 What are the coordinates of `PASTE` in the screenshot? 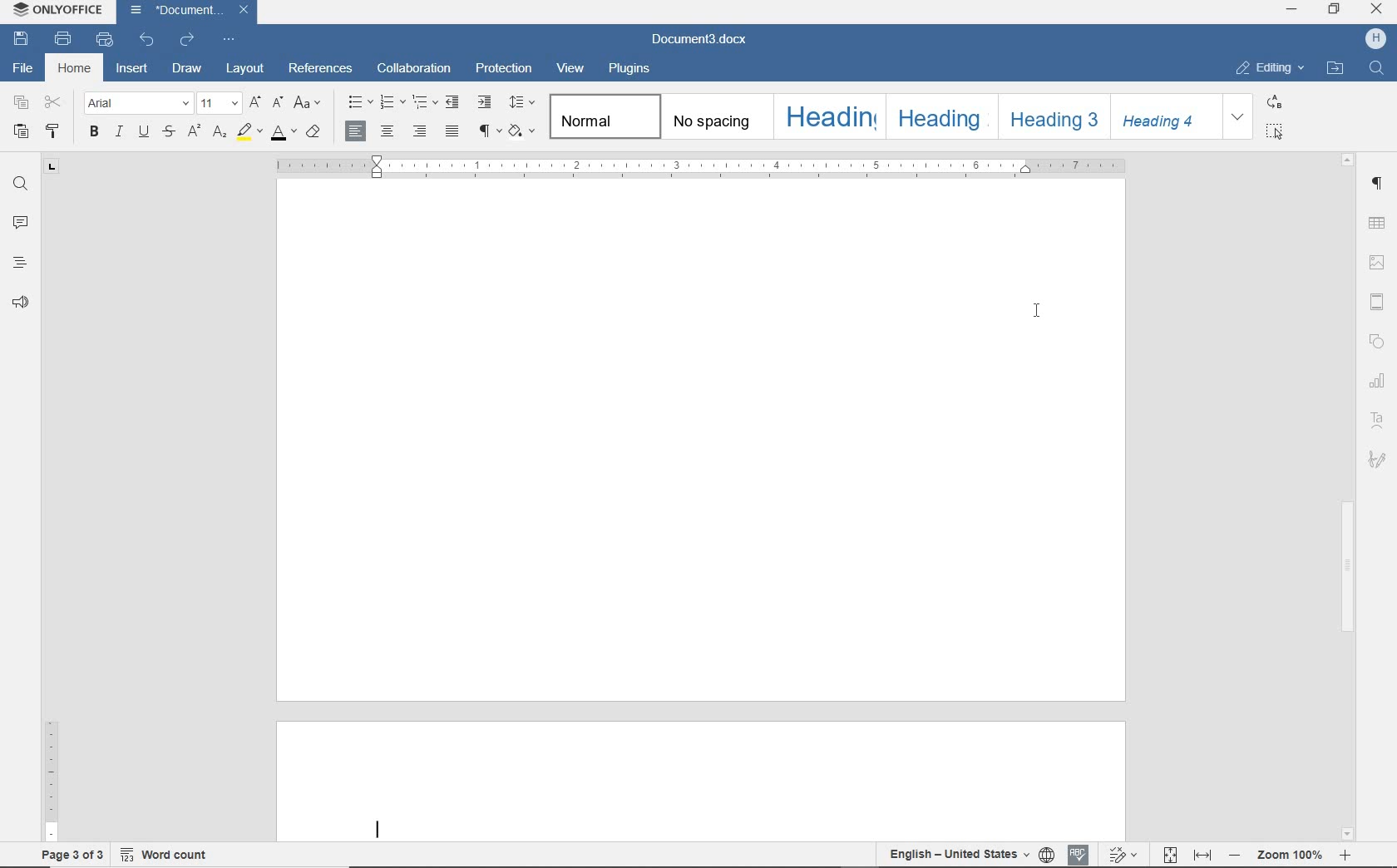 It's located at (22, 130).